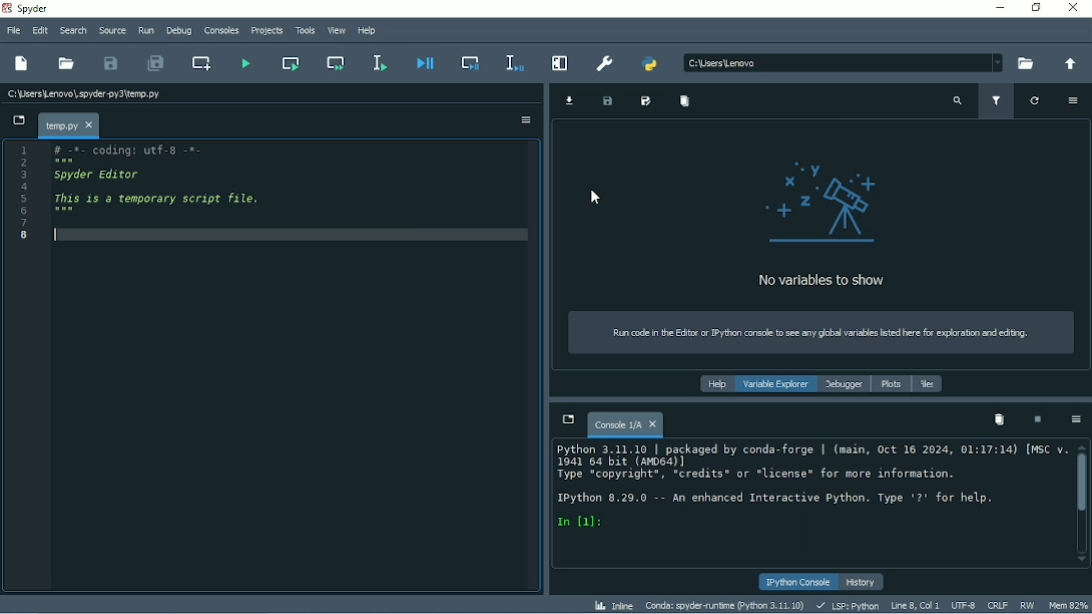 The width and height of the screenshot is (1092, 614). I want to click on History, so click(863, 582).